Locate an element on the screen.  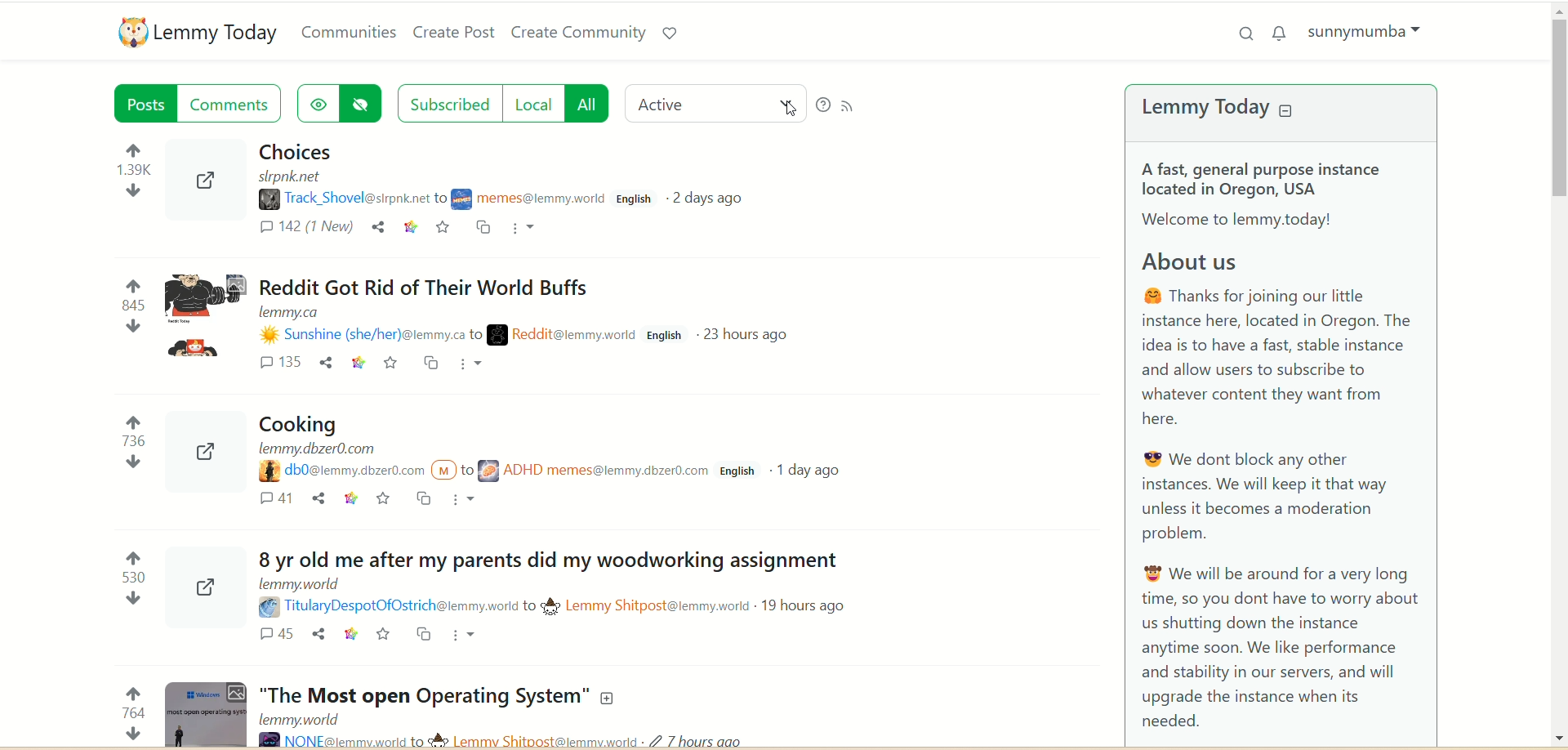
favorite is located at coordinates (440, 228).